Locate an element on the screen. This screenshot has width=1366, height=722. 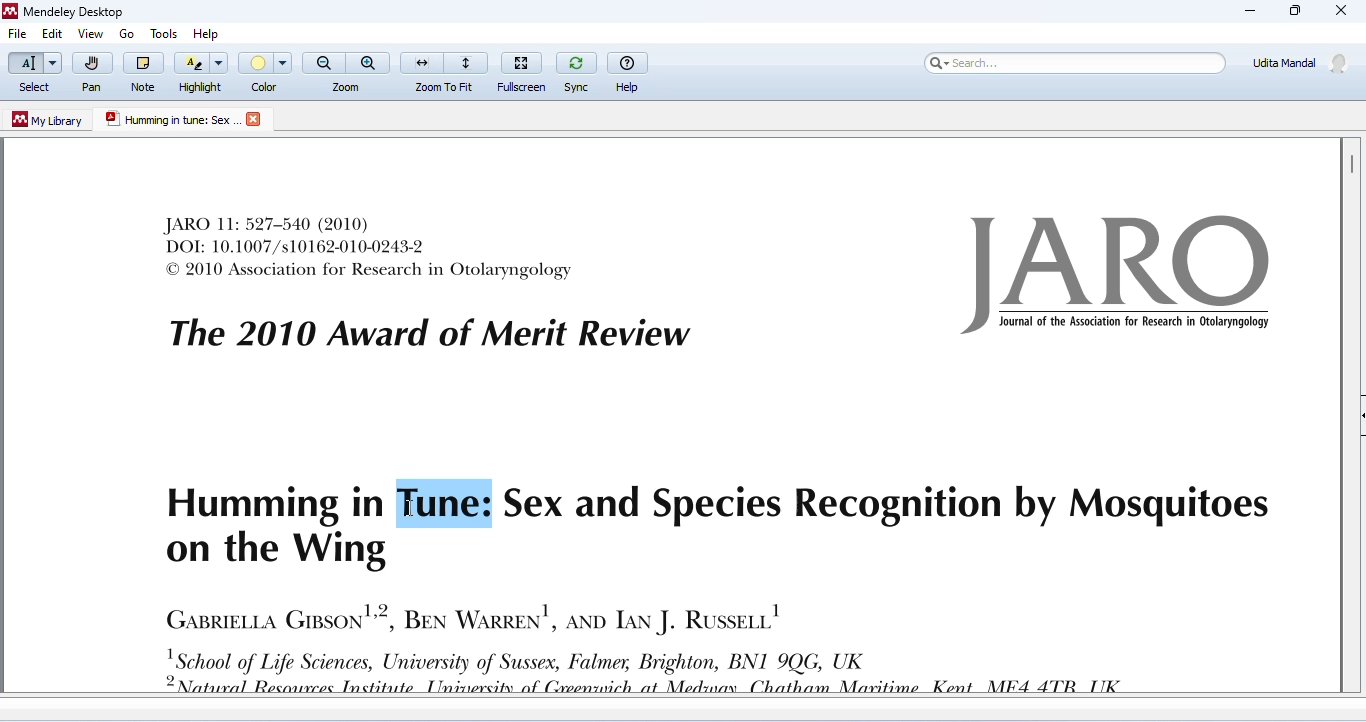
file is located at coordinates (18, 35).